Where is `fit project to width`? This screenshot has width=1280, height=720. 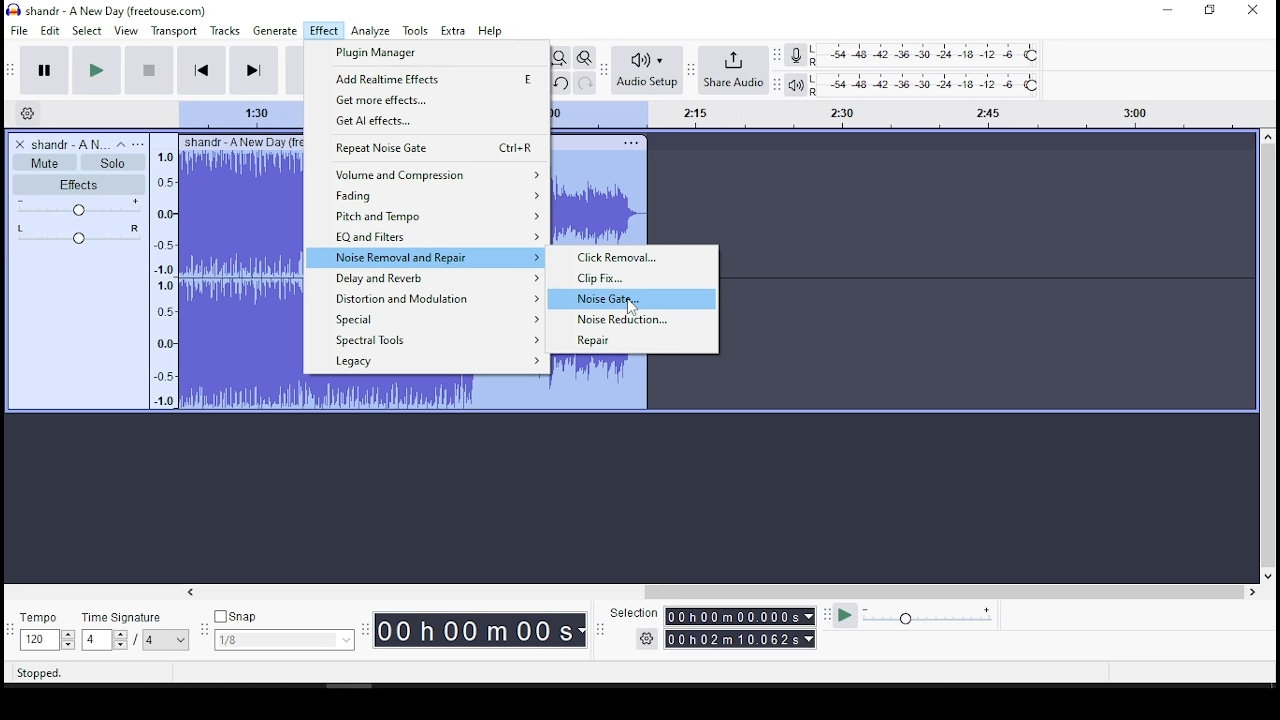
fit project to width is located at coordinates (558, 57).